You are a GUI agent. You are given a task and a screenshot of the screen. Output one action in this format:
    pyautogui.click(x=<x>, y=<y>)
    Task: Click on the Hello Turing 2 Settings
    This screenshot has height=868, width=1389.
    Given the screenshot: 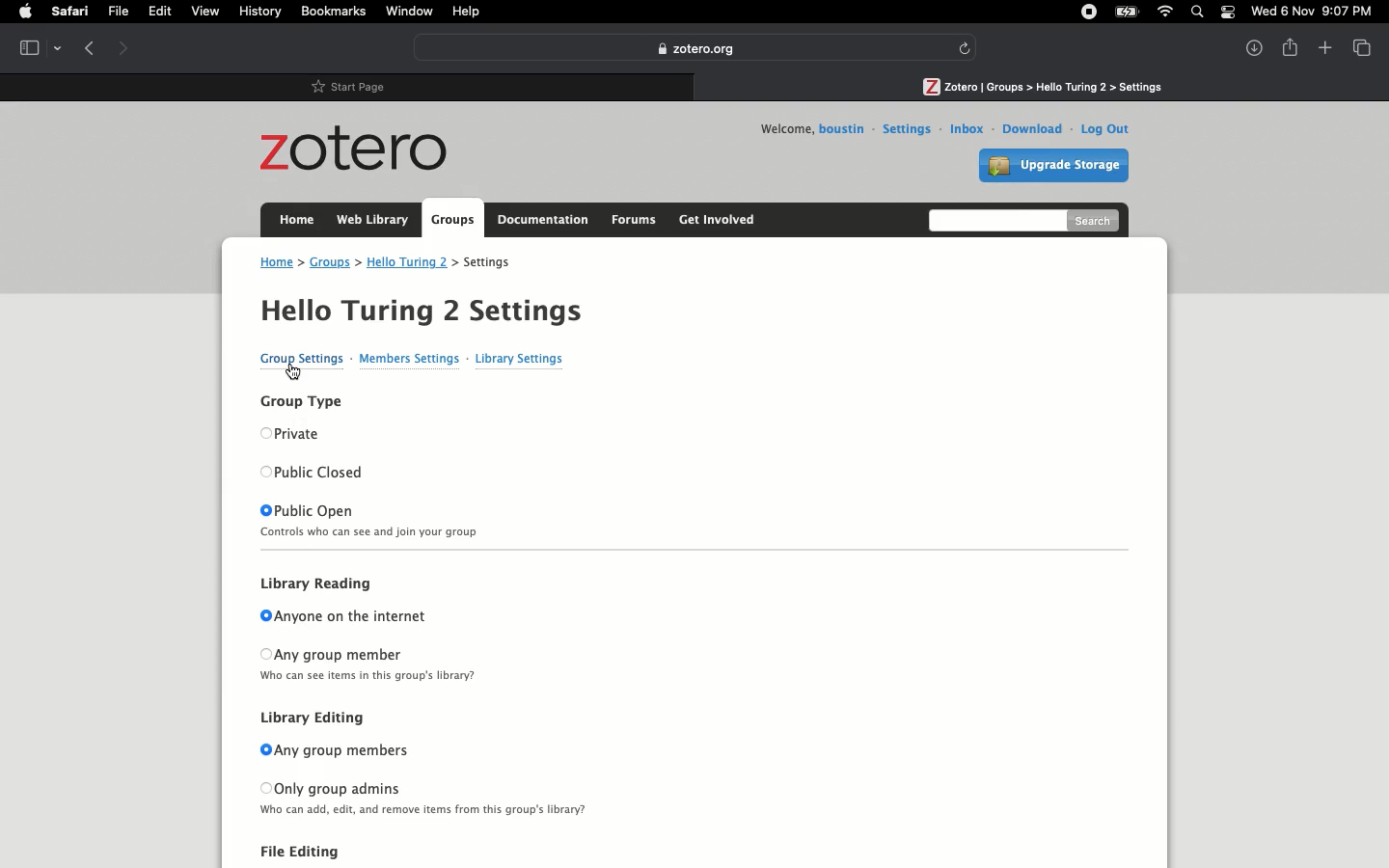 What is the action you would take?
    pyautogui.click(x=421, y=311)
    